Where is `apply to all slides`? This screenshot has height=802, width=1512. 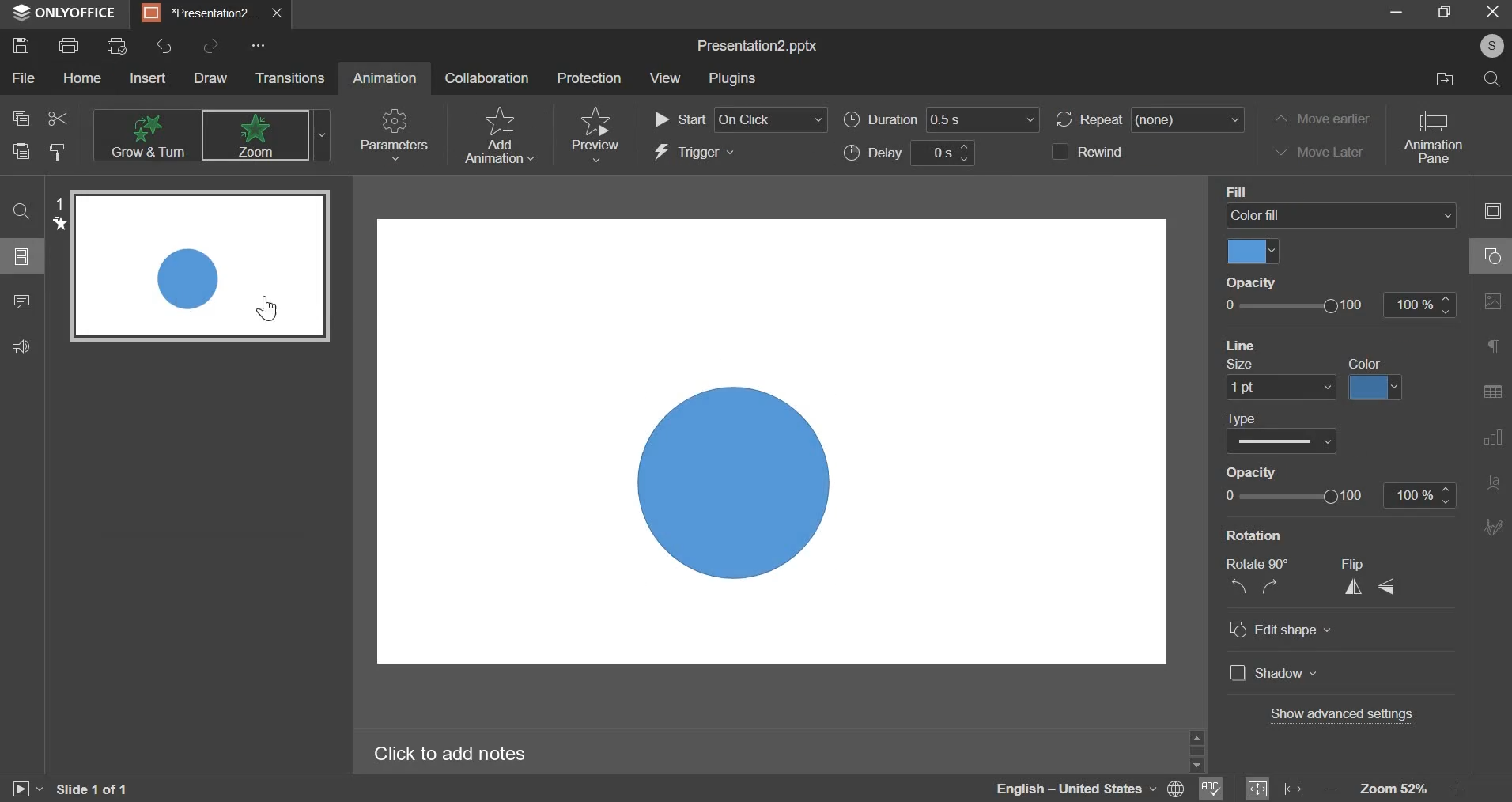 apply to all slides is located at coordinates (1297, 414).